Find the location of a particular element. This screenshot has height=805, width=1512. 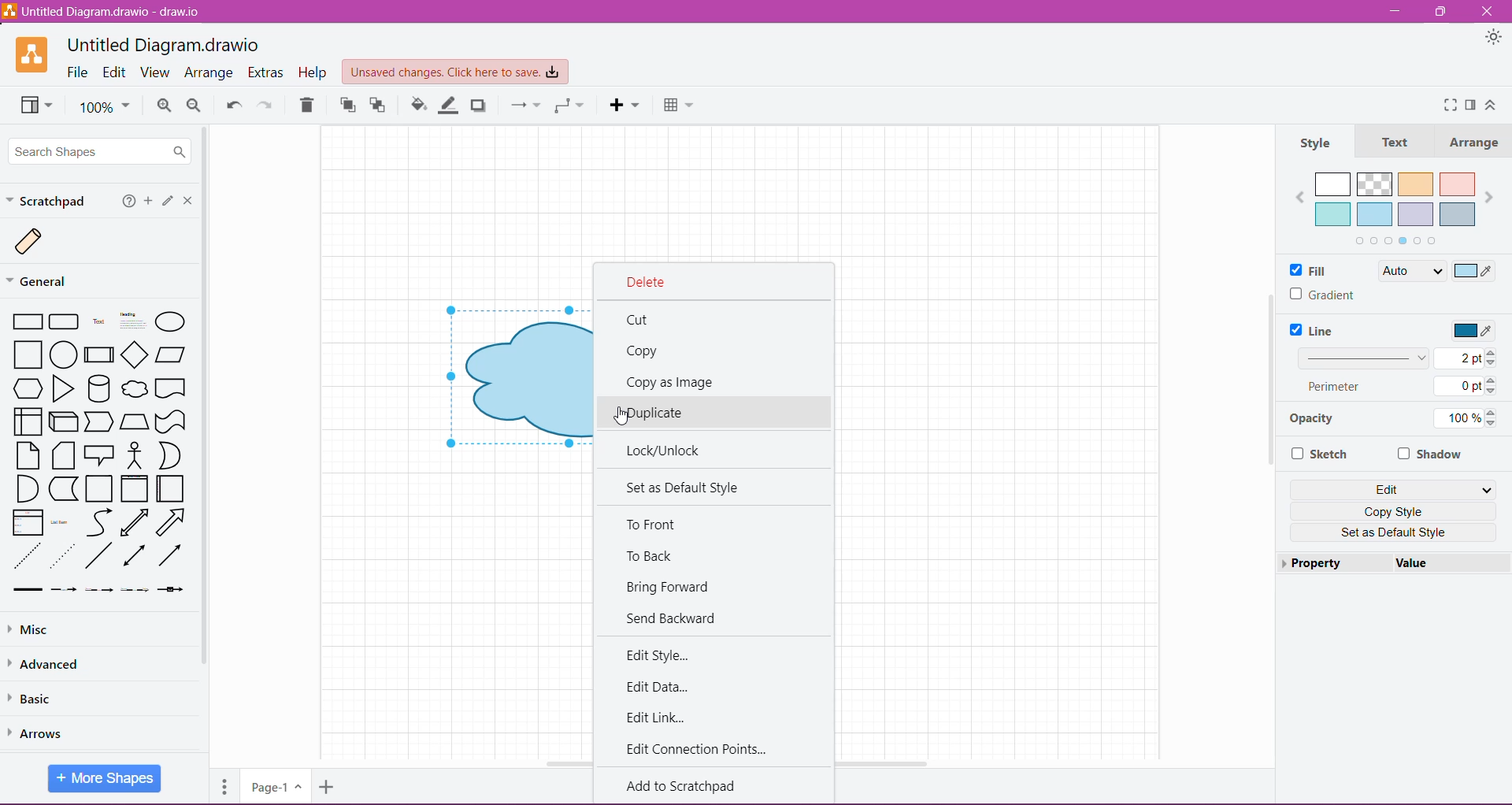

Add is located at coordinates (149, 201).